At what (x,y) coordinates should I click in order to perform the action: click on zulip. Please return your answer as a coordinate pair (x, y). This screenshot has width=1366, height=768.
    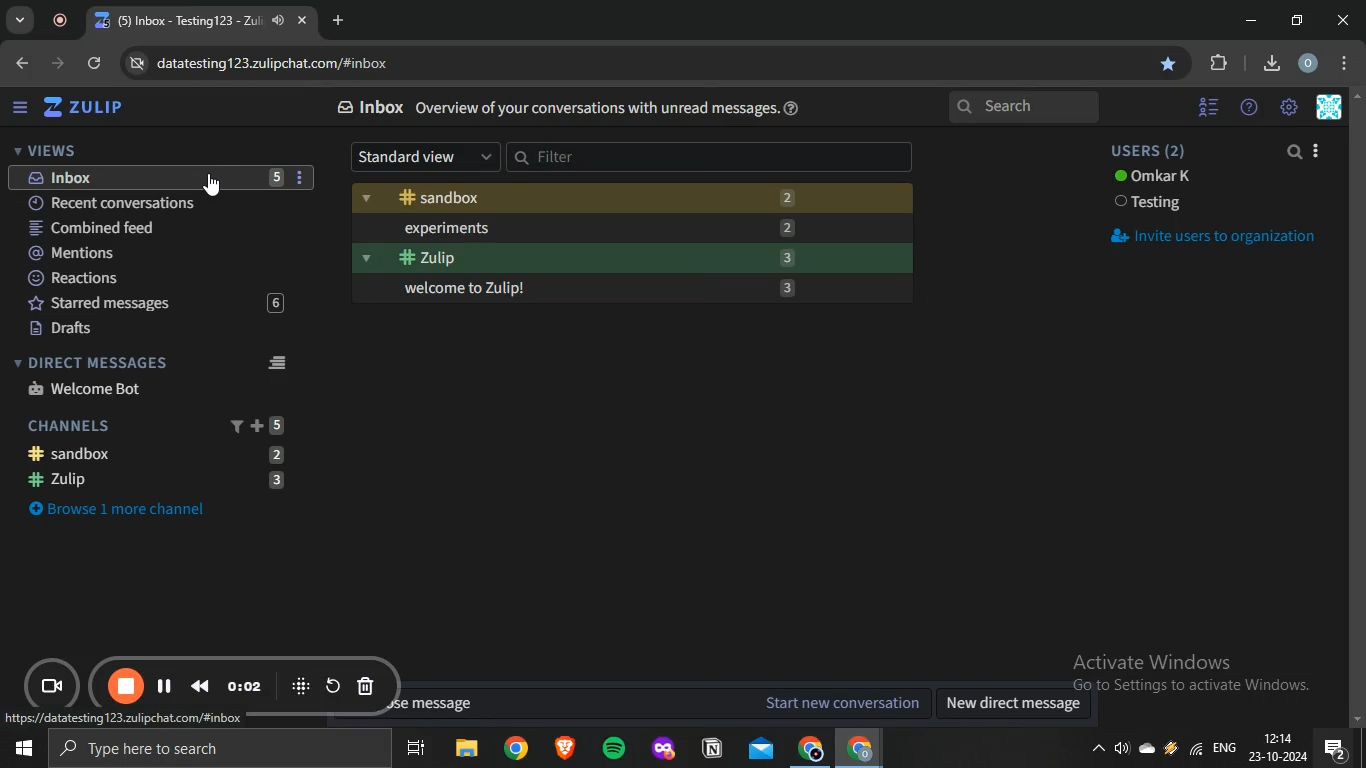
    Looking at the image, I should click on (629, 257).